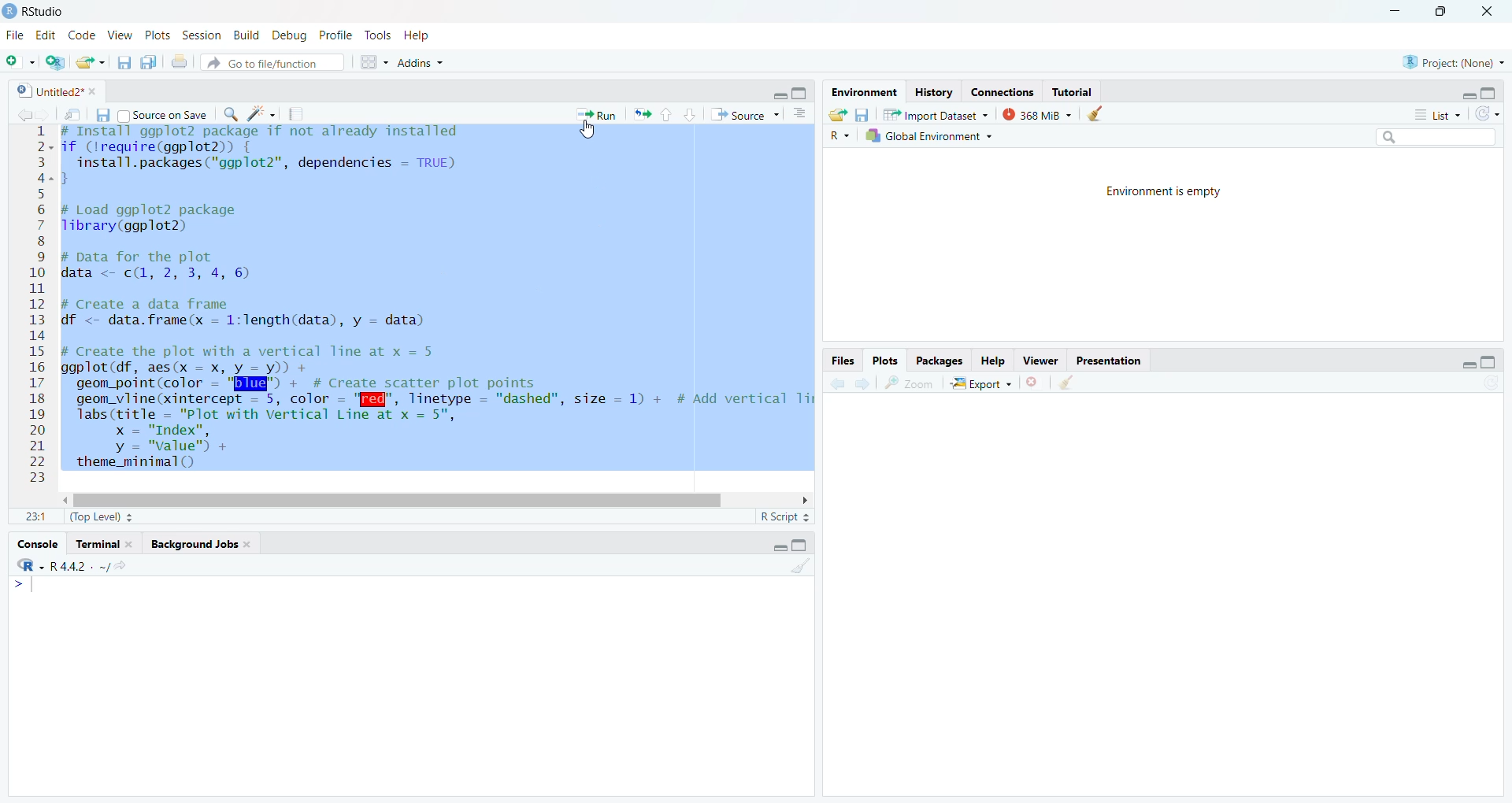  Describe the element at coordinates (983, 385) in the screenshot. I see `| Export ~` at that location.